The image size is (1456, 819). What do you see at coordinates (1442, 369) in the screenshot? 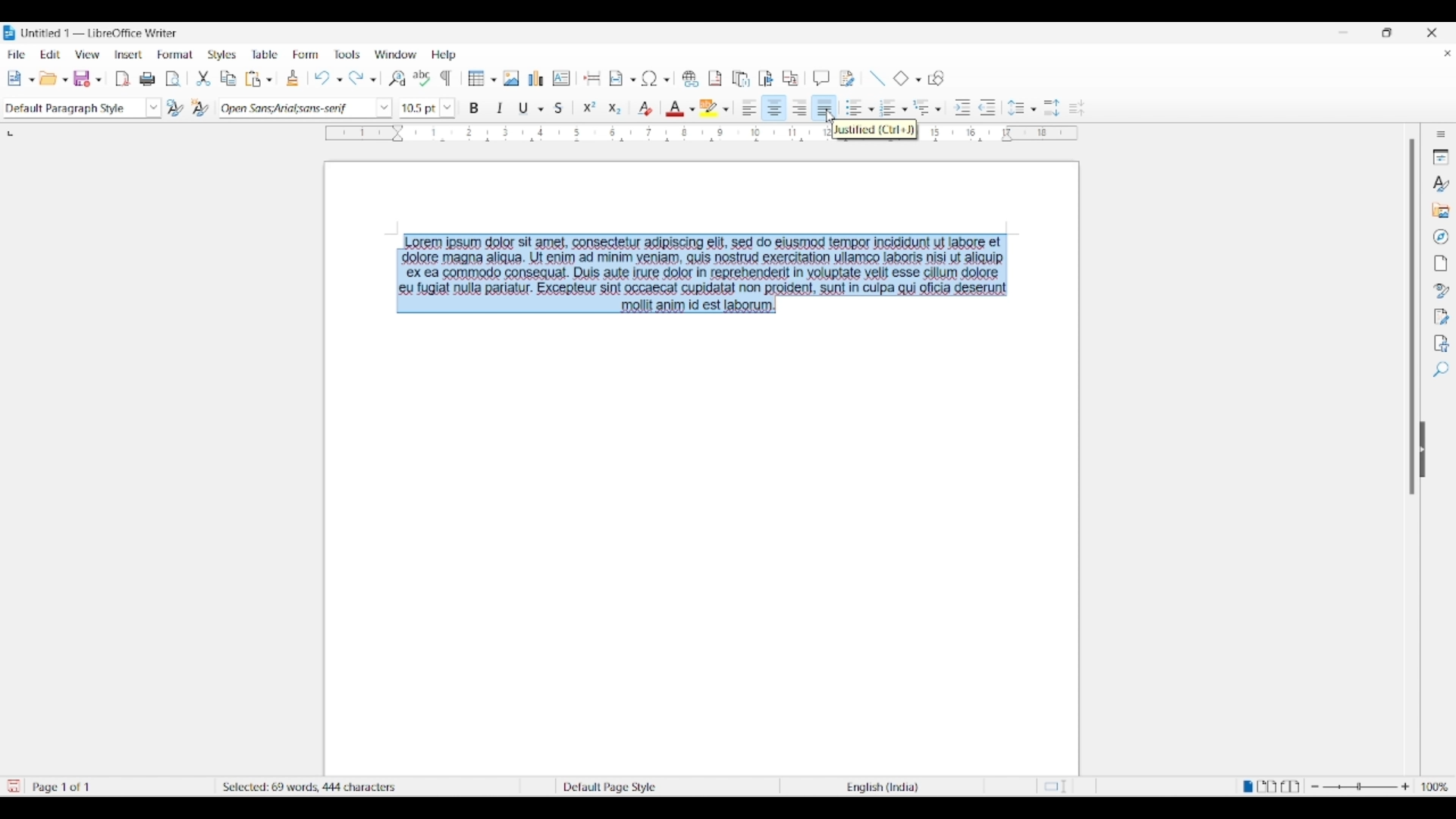
I see `Find` at bounding box center [1442, 369].